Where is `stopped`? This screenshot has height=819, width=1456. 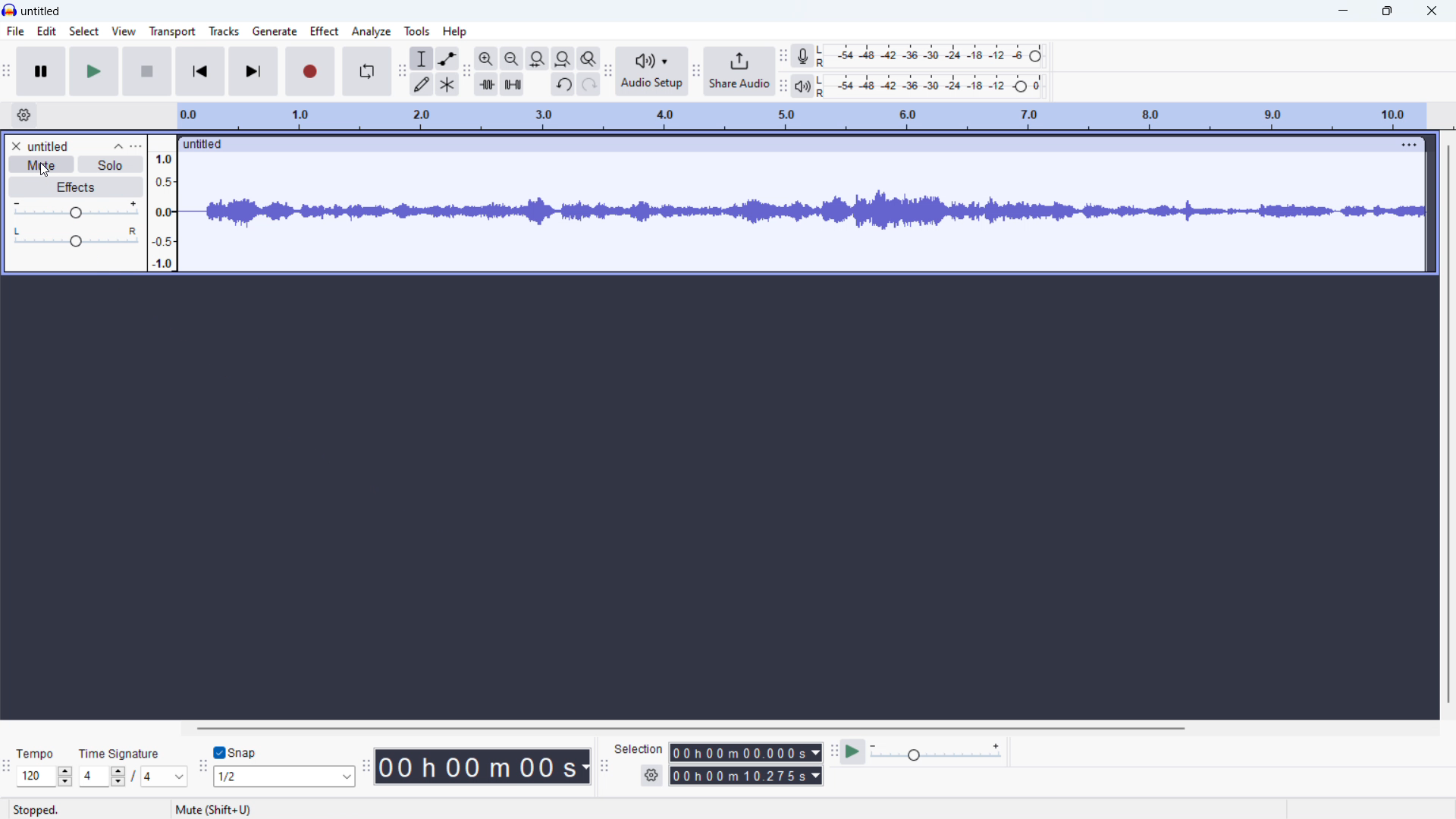
stopped is located at coordinates (35, 810).